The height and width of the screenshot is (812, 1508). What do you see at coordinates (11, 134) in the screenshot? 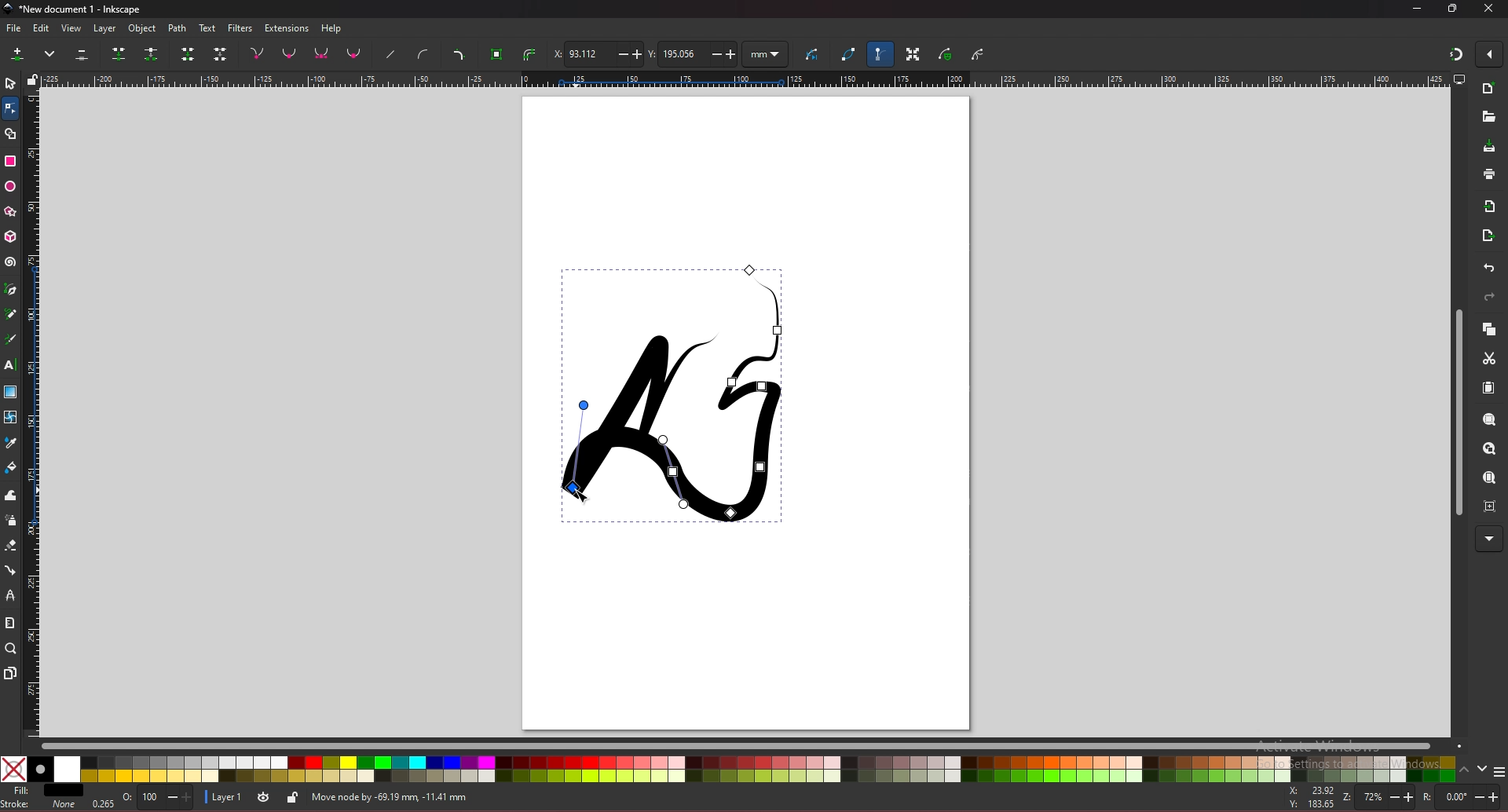
I see `shape builder` at bounding box center [11, 134].